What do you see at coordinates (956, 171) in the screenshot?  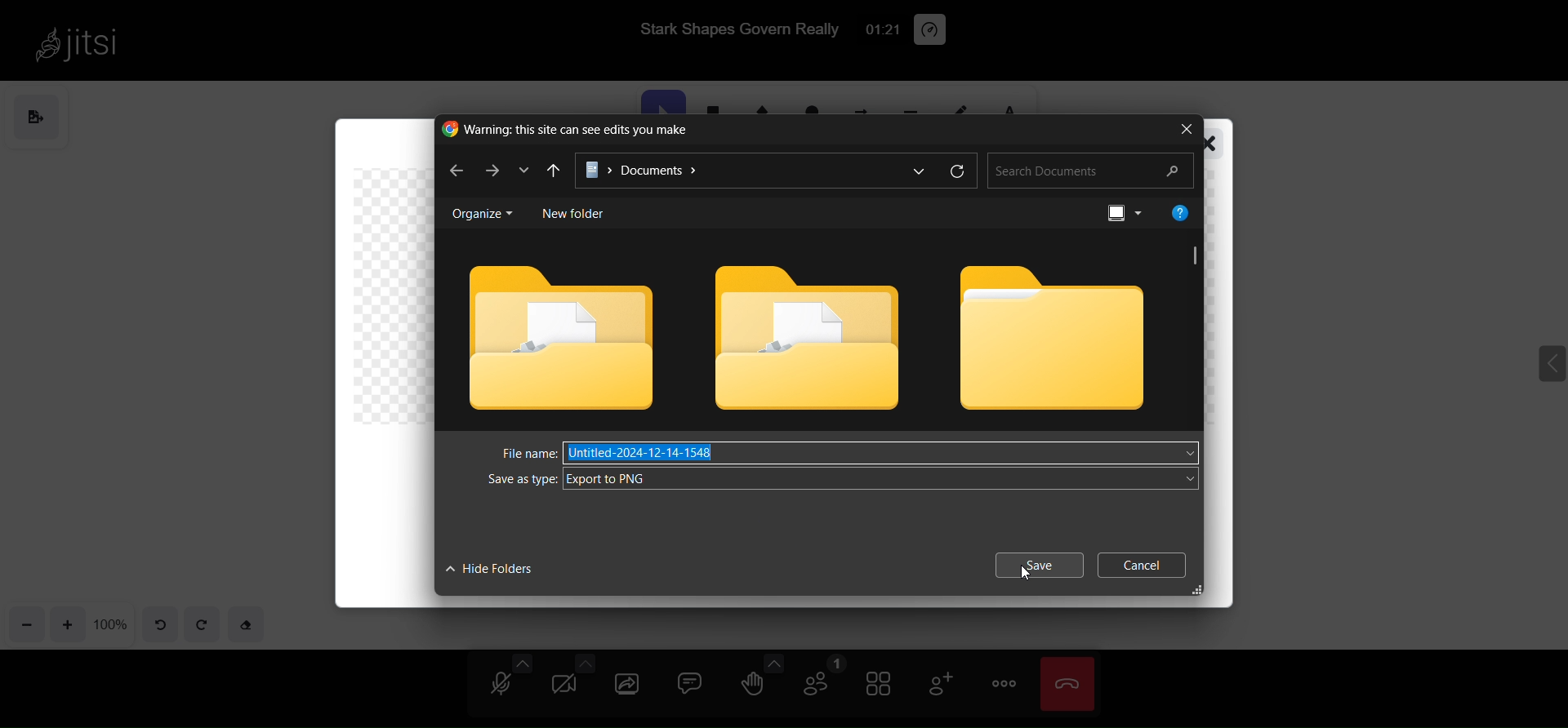 I see `refresh` at bounding box center [956, 171].